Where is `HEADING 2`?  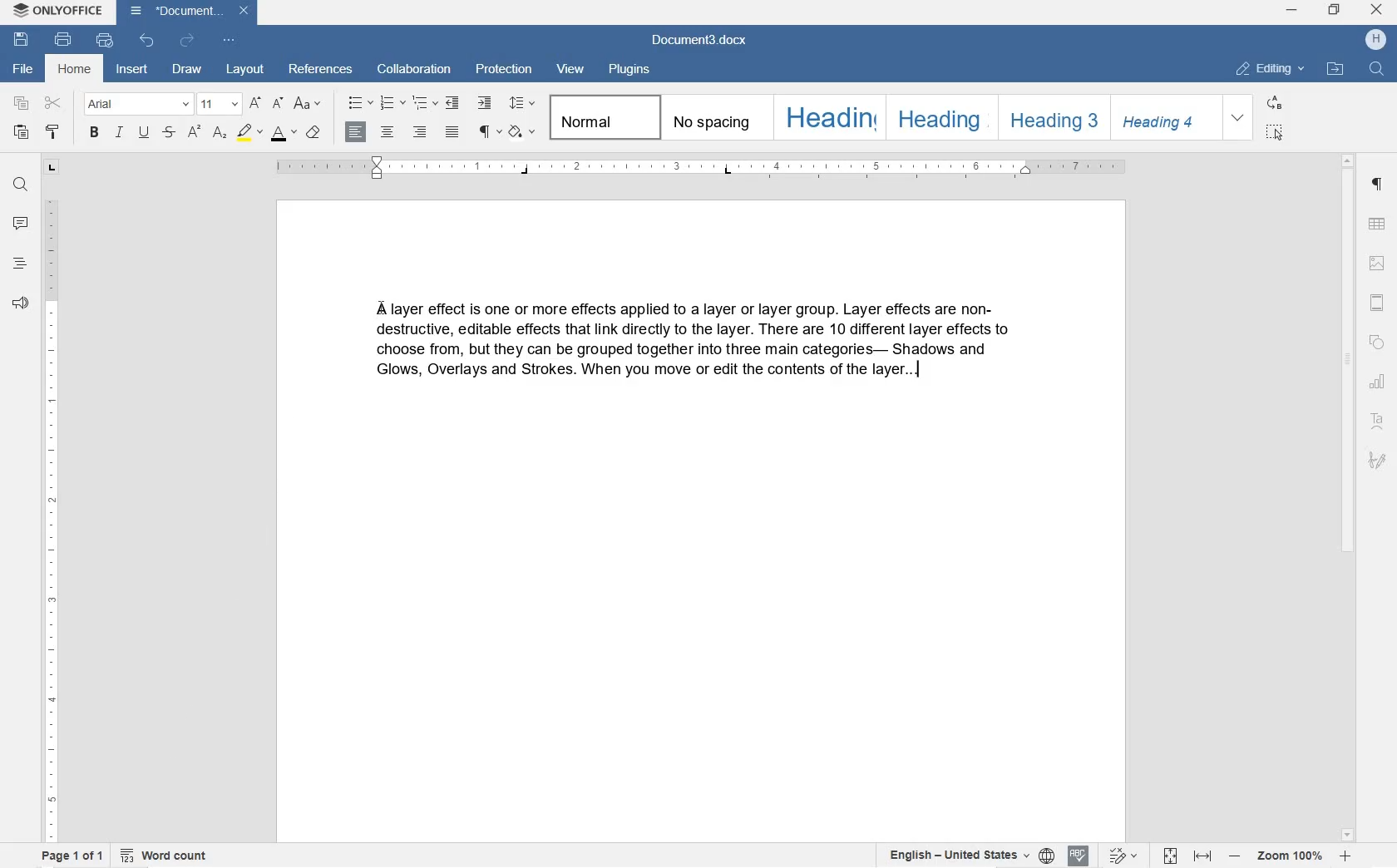
HEADING 2 is located at coordinates (940, 118).